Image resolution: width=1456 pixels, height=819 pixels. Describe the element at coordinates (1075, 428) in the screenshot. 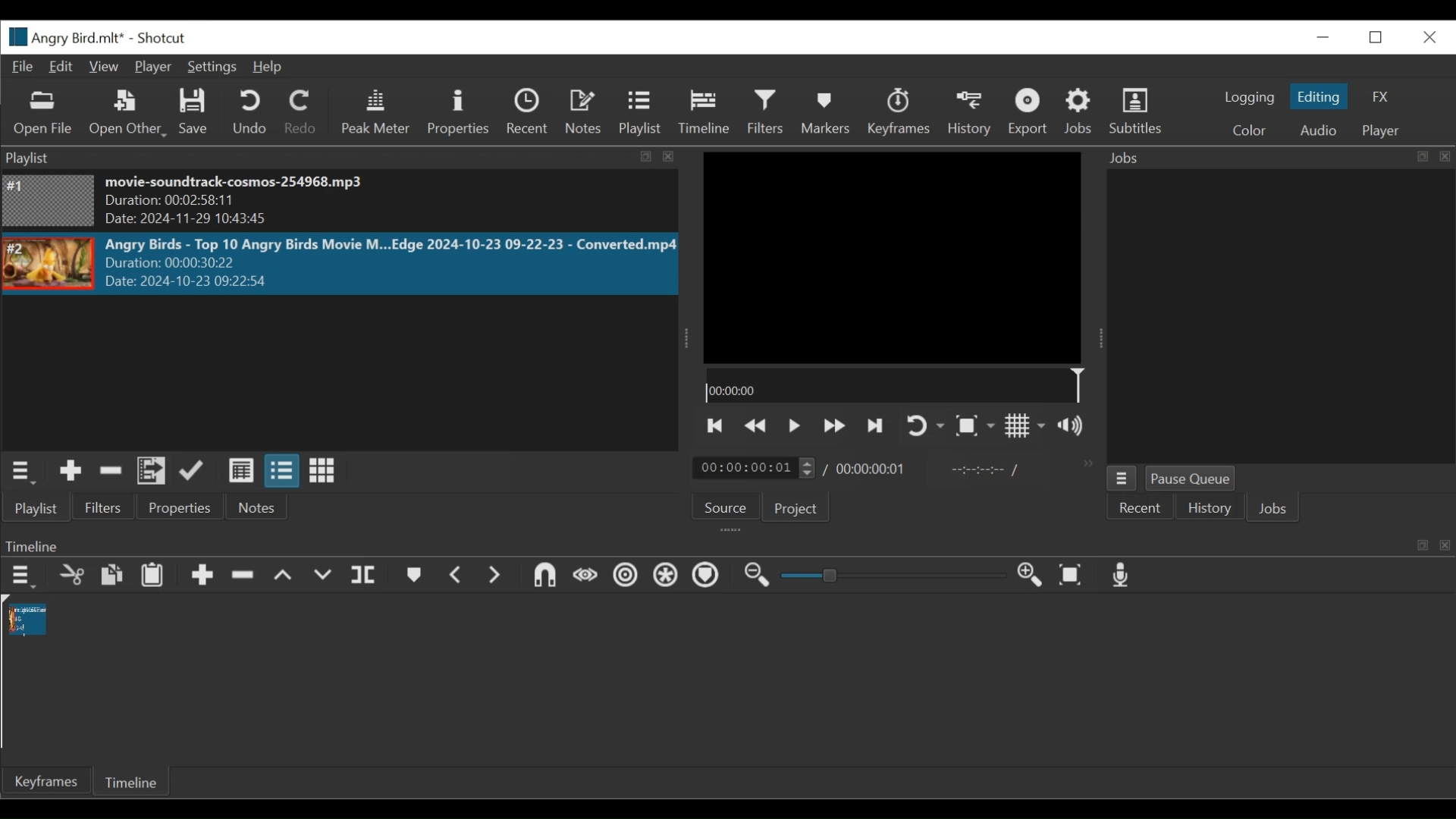

I see `Show volume control` at that location.